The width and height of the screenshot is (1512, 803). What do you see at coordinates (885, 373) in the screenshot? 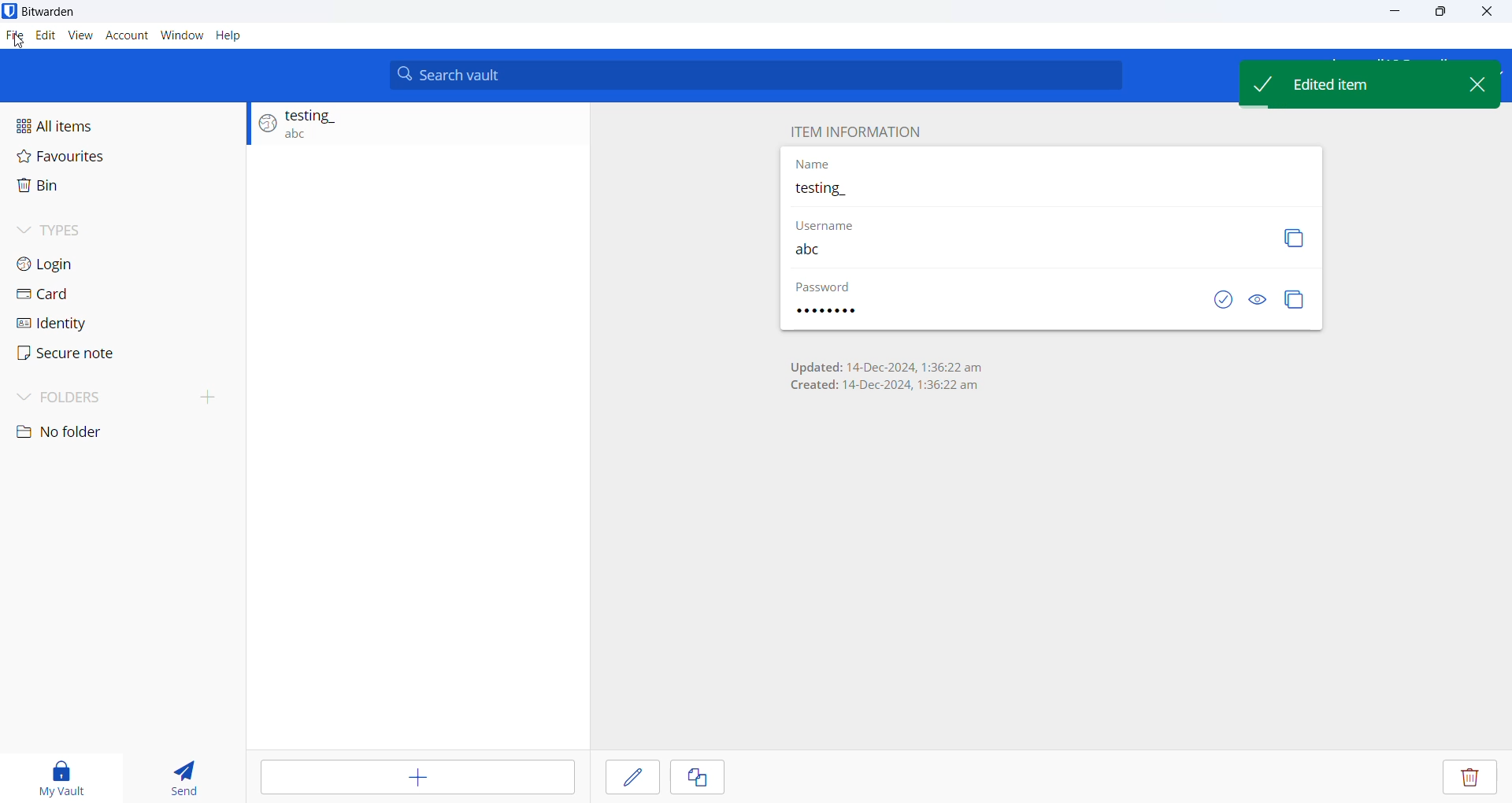
I see `Updation and creation date` at bounding box center [885, 373].